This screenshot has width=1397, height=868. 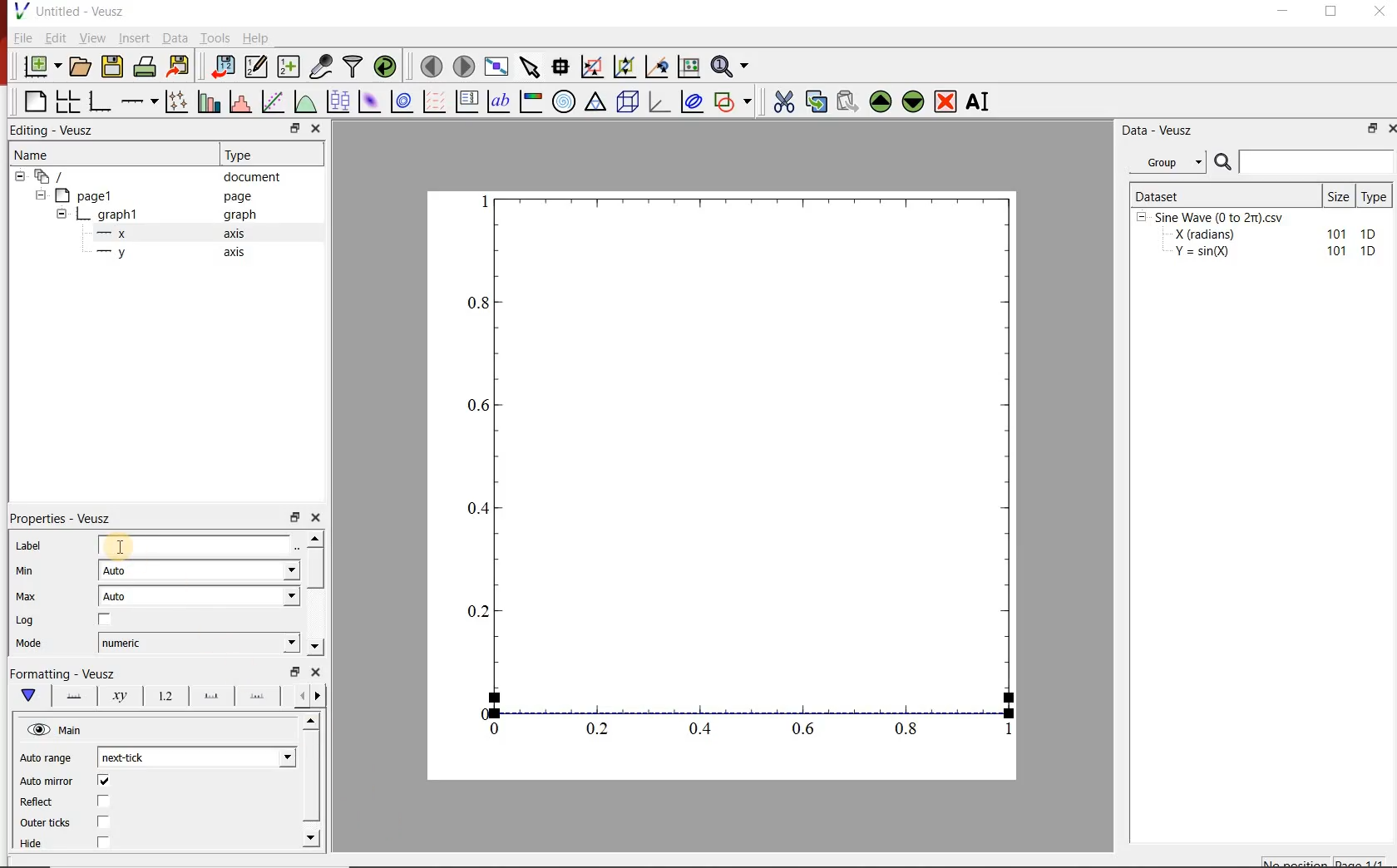 What do you see at coordinates (32, 845) in the screenshot?
I see `‘Hide` at bounding box center [32, 845].